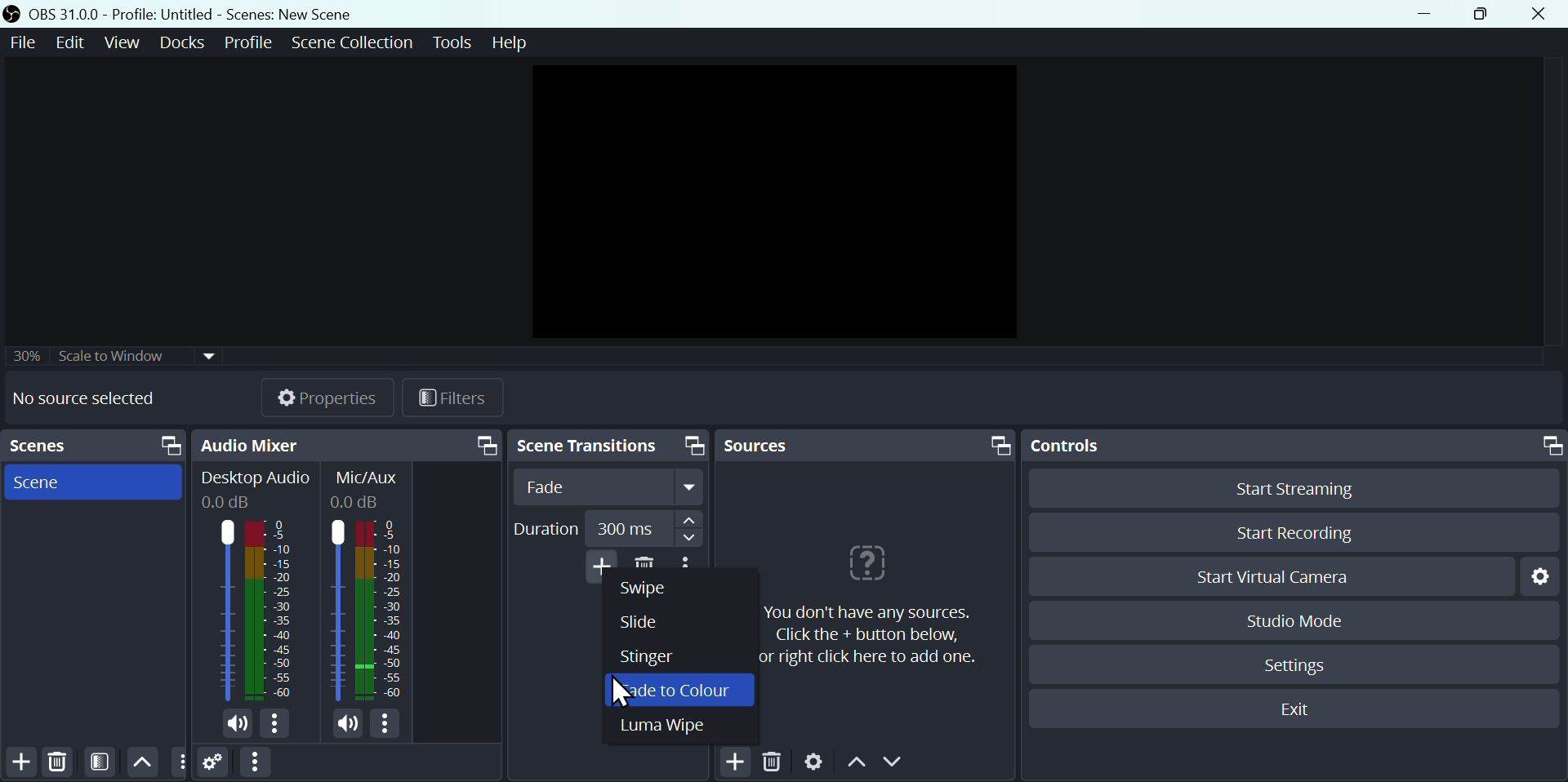  I want to click on , so click(20, 42).